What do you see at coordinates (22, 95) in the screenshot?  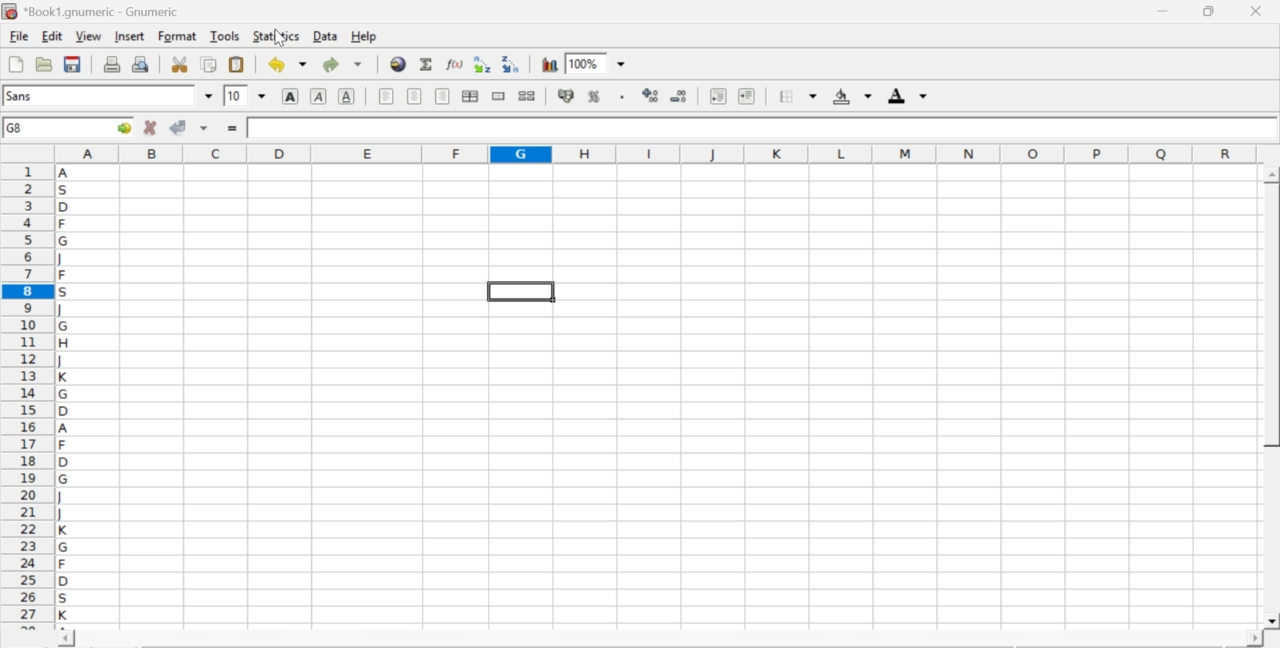 I see `font` at bounding box center [22, 95].